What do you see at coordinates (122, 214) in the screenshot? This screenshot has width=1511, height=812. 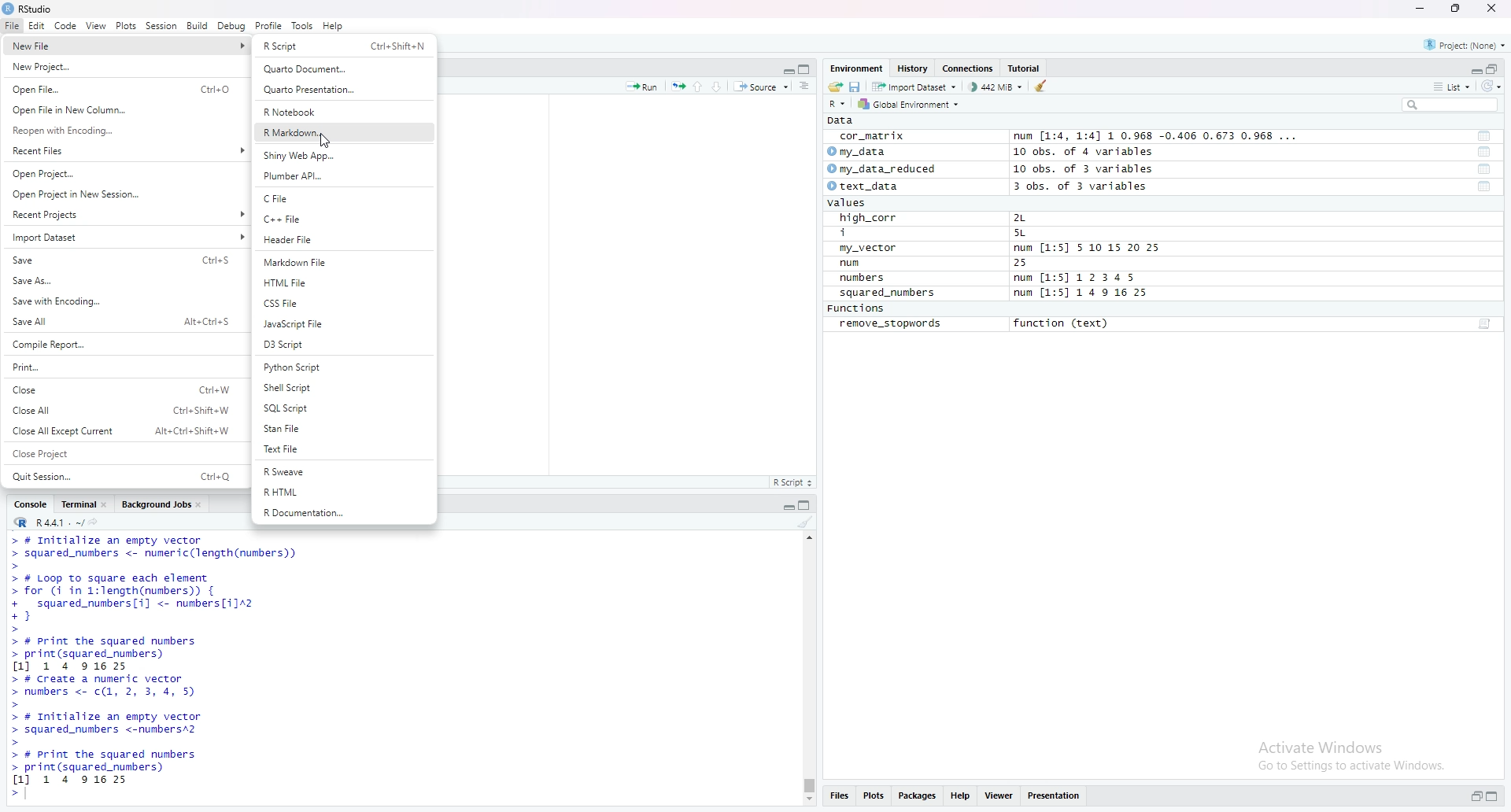 I see `Recent Projects` at bounding box center [122, 214].